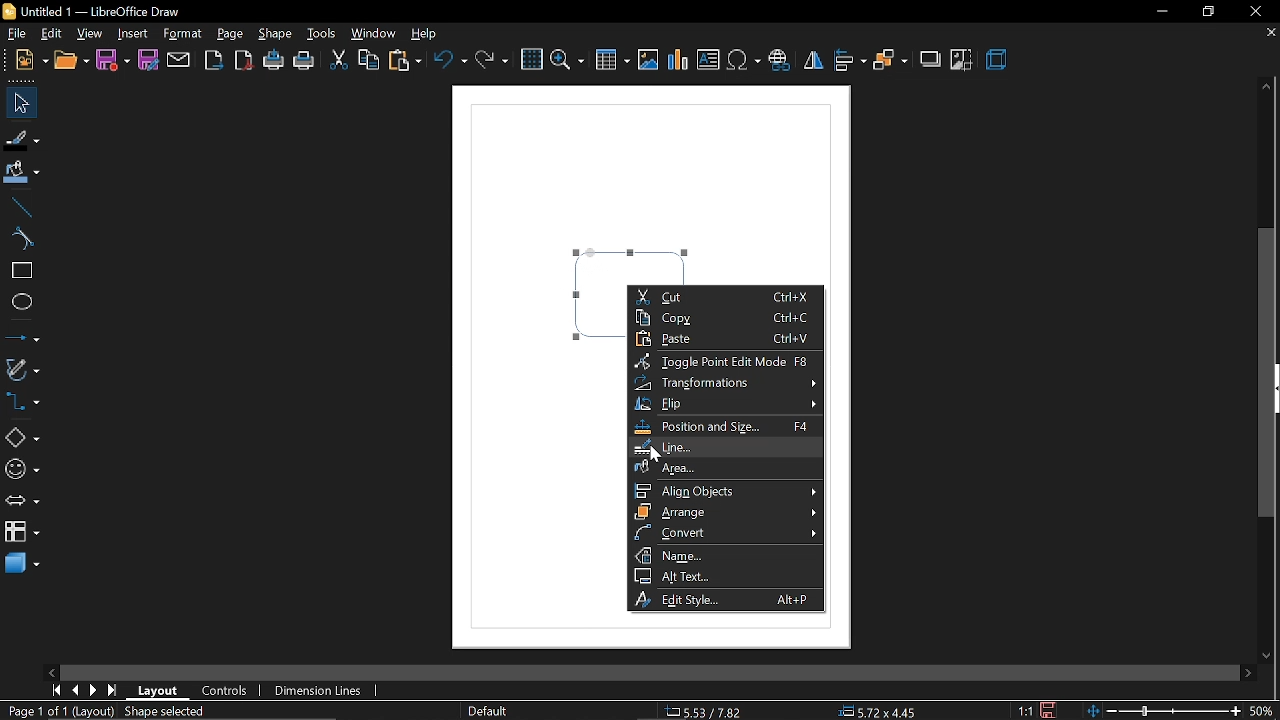 This screenshot has width=1280, height=720. I want to click on arrows, so click(21, 502).